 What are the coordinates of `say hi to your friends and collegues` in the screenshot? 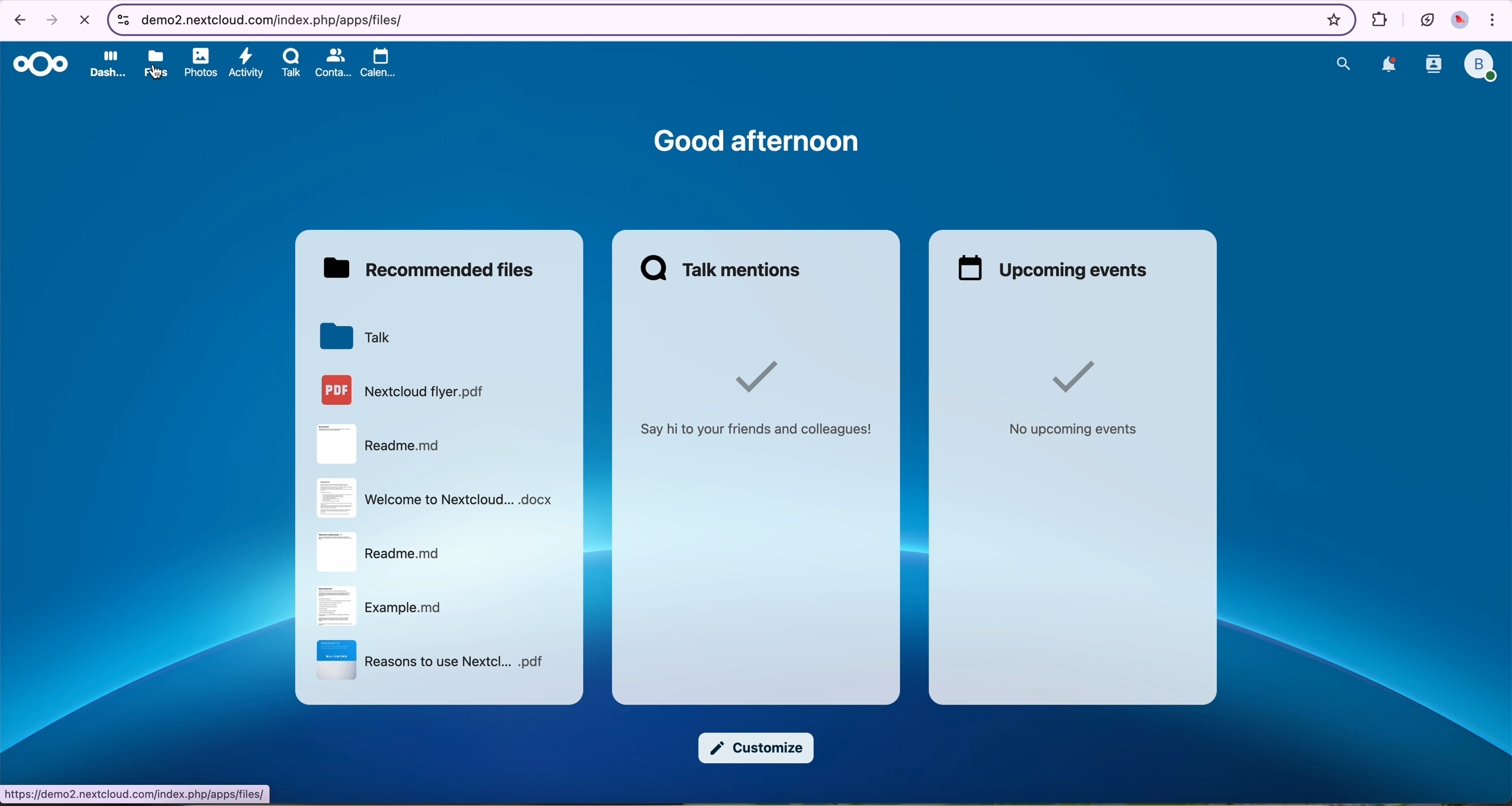 It's located at (761, 393).